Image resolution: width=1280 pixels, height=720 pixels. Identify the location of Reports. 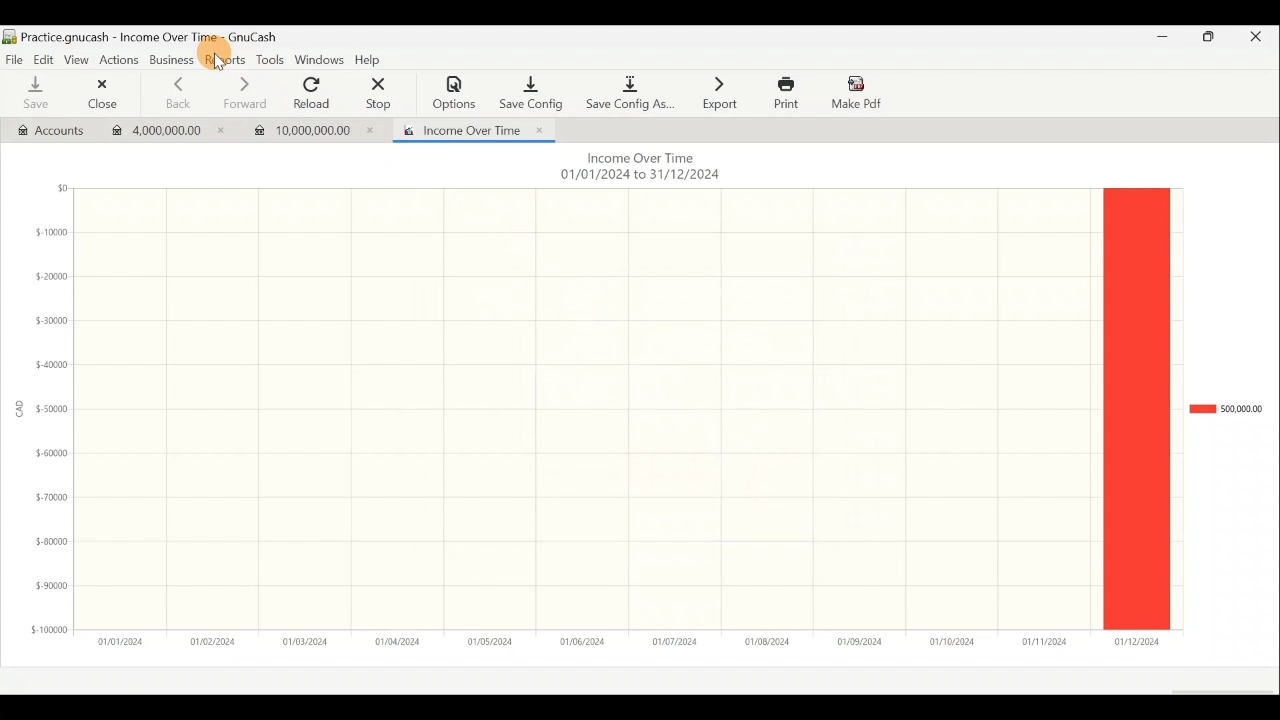
(227, 60).